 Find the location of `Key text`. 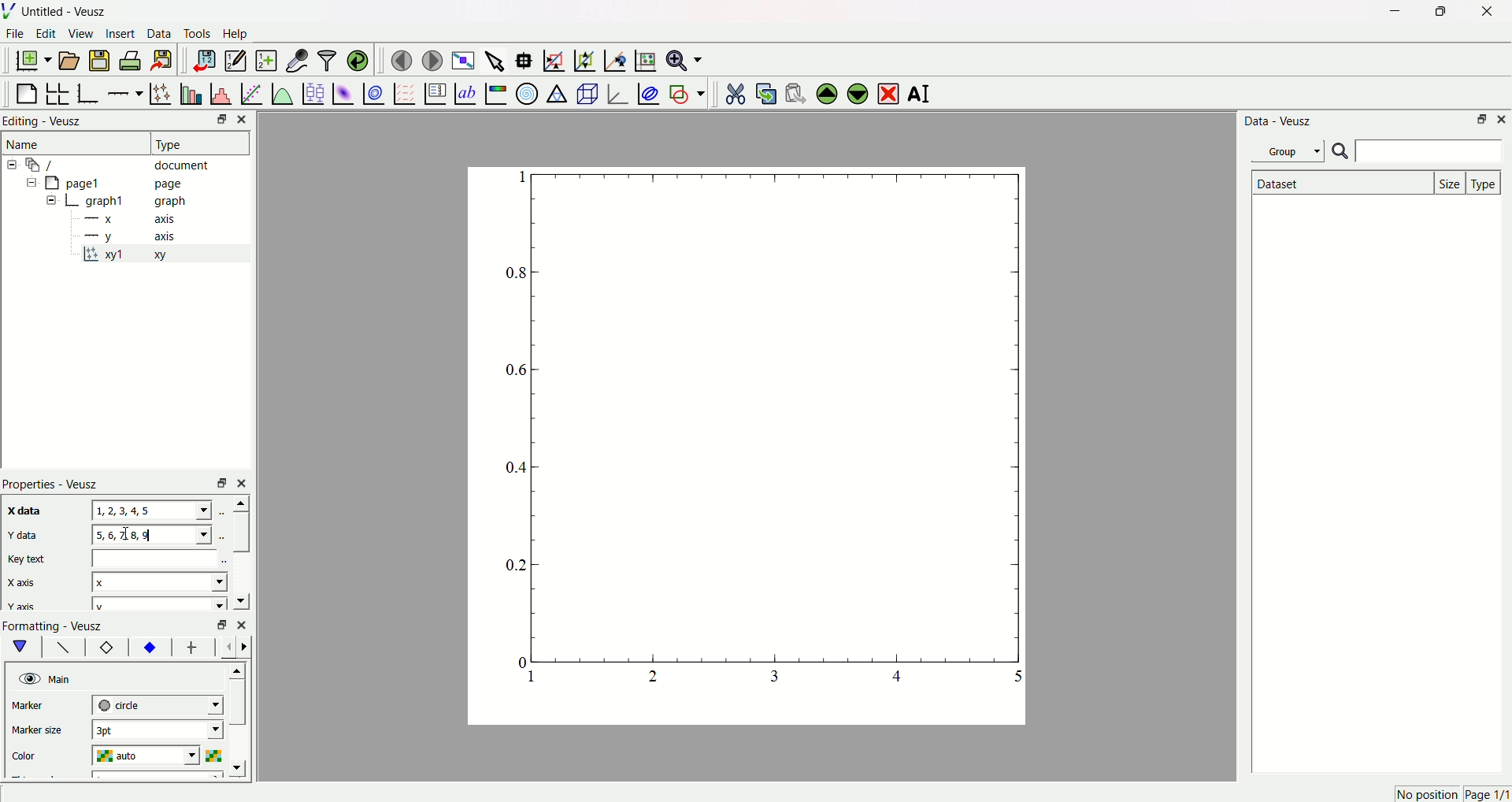

Key text is located at coordinates (28, 559).